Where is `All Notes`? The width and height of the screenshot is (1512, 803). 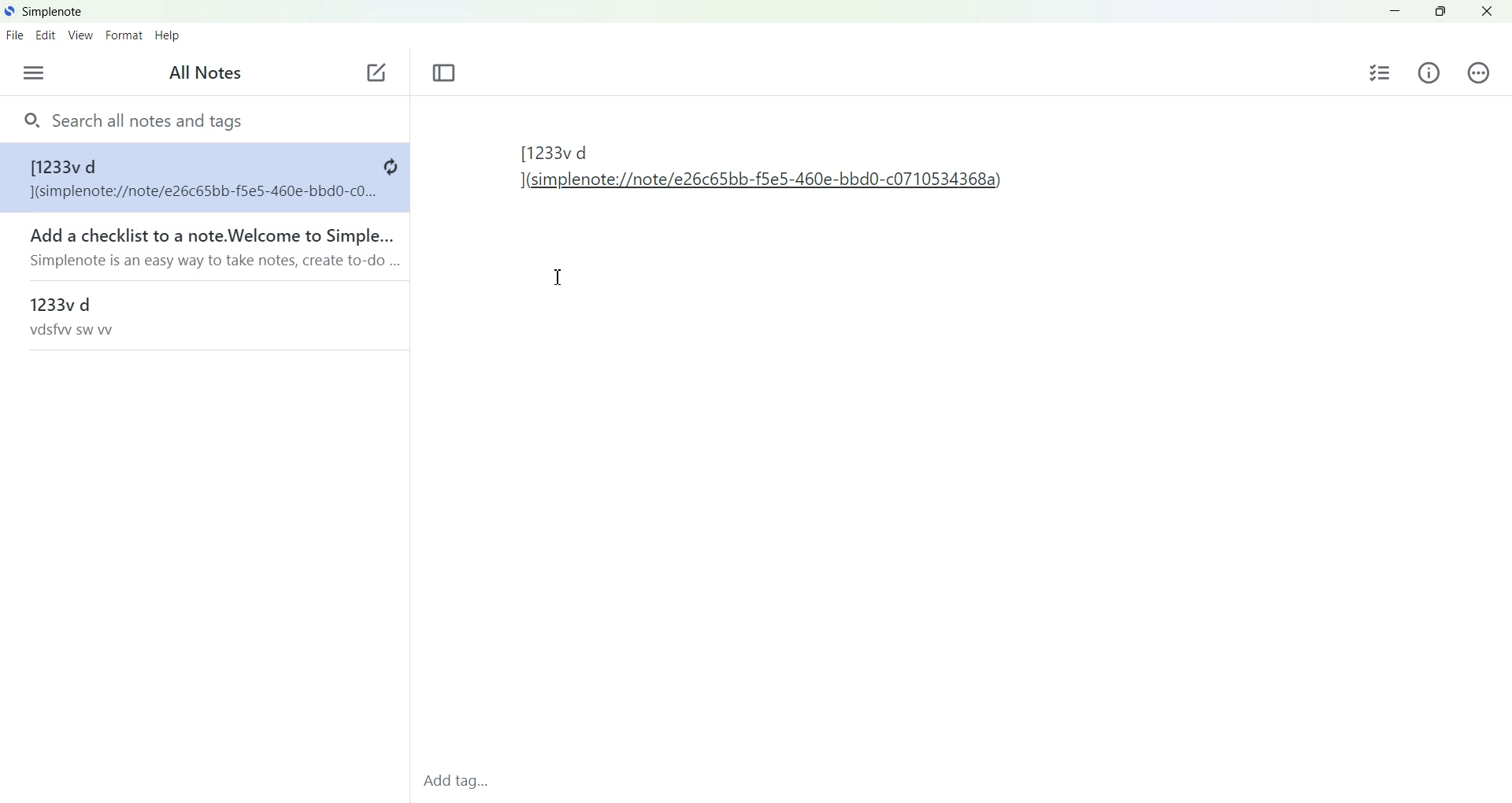 All Notes is located at coordinates (208, 73).